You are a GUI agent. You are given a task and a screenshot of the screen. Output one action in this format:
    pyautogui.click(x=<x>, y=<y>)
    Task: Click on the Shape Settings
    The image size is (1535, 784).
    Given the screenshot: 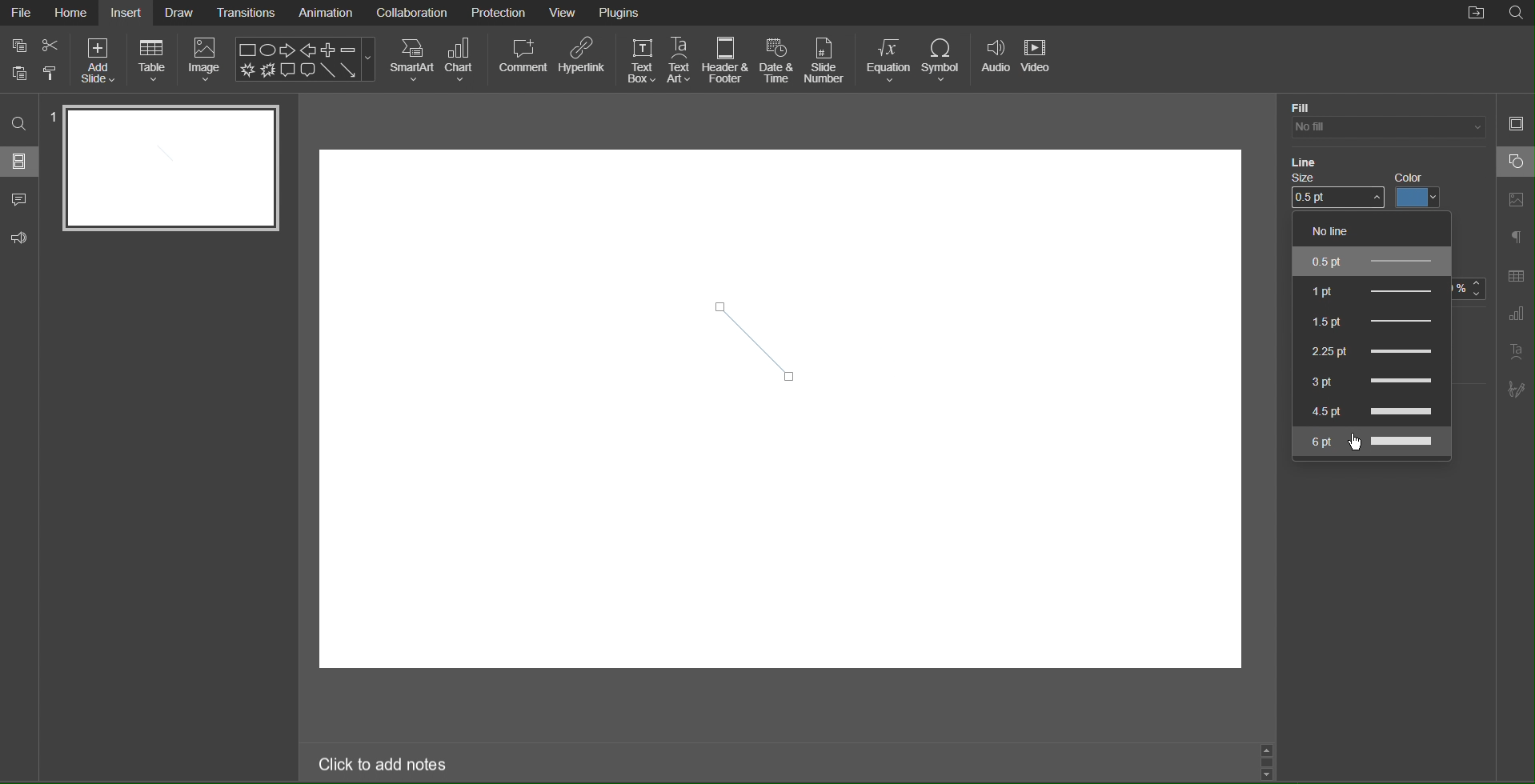 What is the action you would take?
    pyautogui.click(x=1515, y=162)
    